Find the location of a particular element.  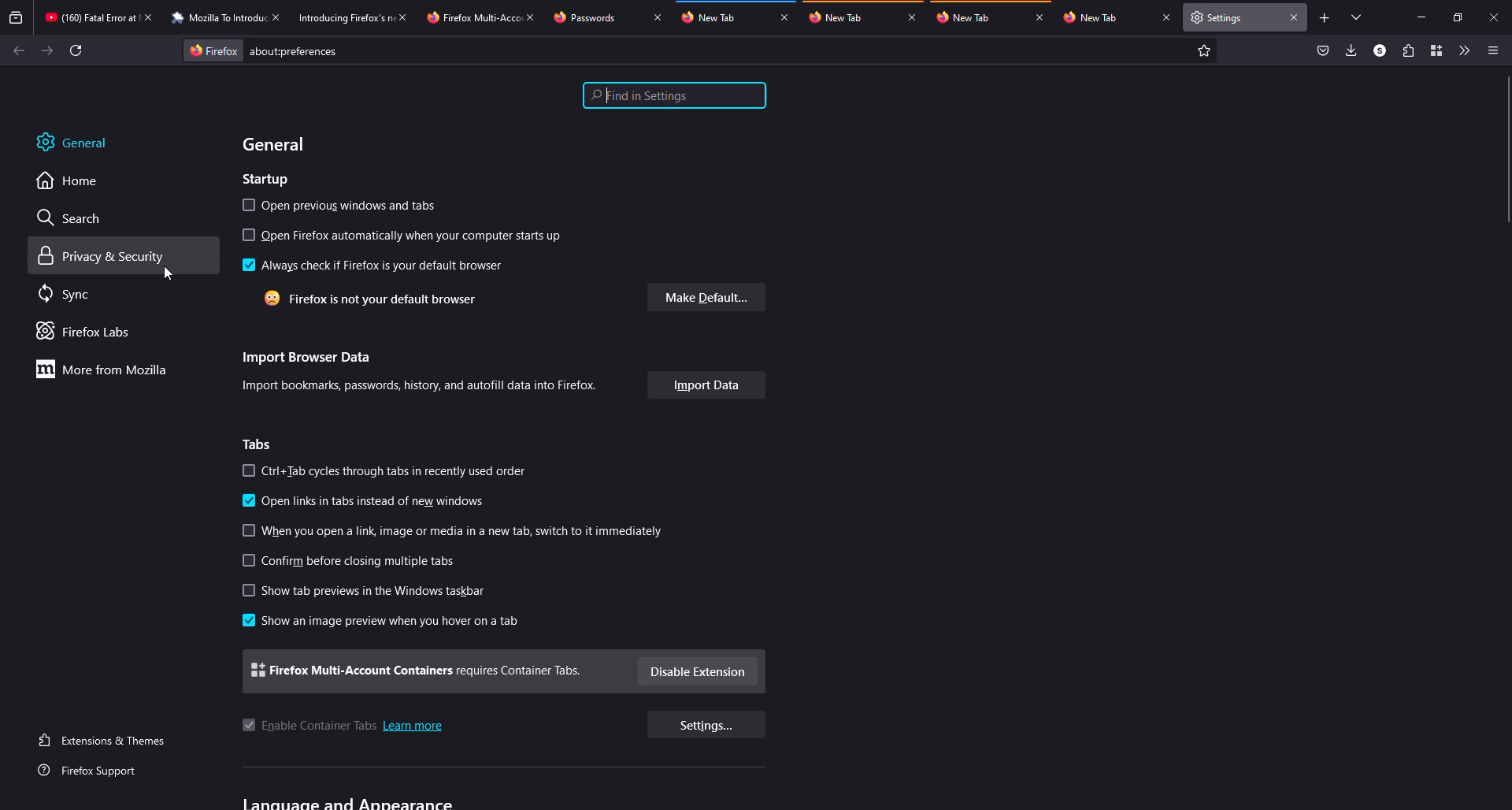

tab is located at coordinates (218, 18).